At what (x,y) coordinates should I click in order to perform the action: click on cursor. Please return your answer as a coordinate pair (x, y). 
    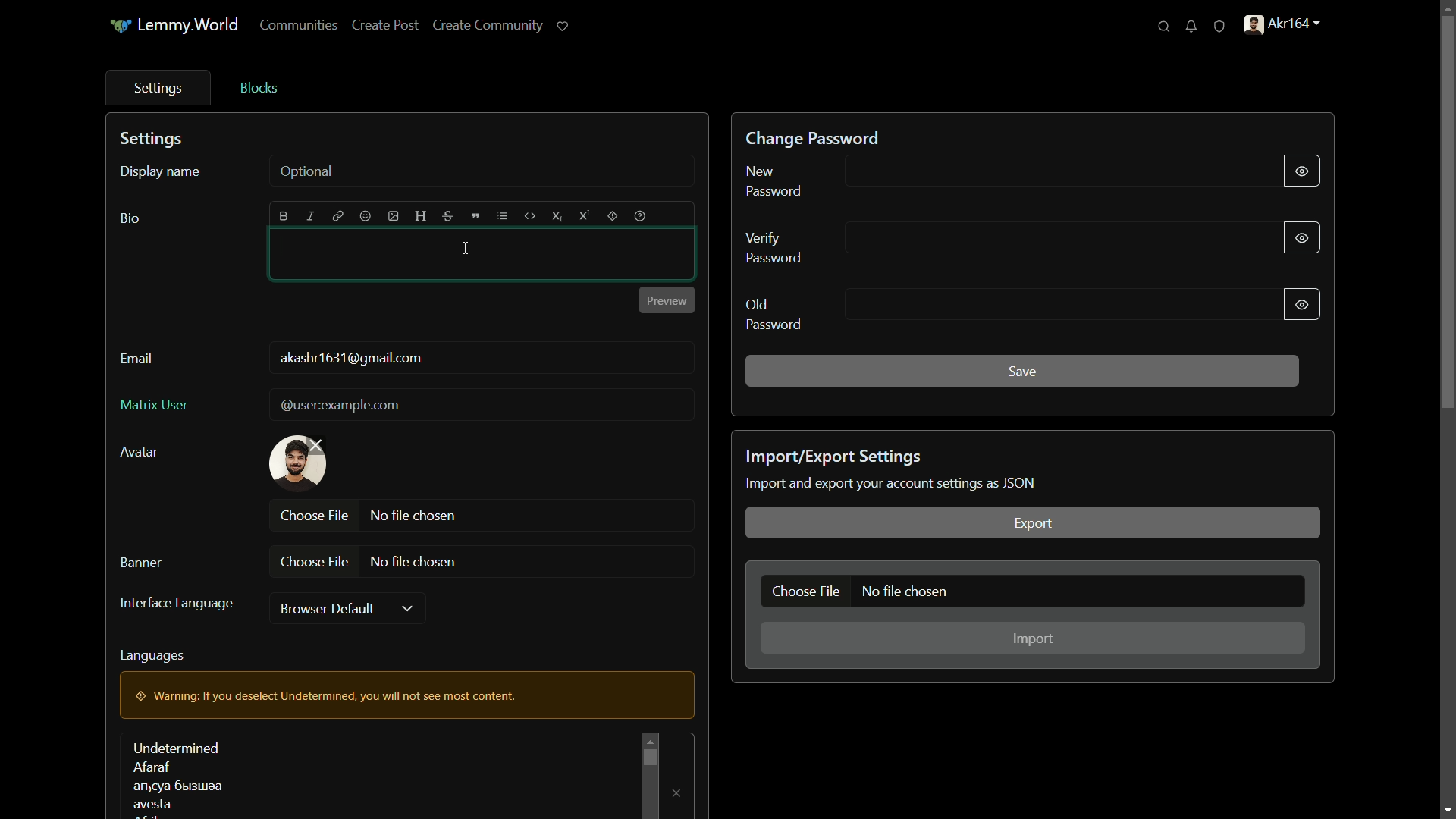
    Looking at the image, I should click on (284, 243).